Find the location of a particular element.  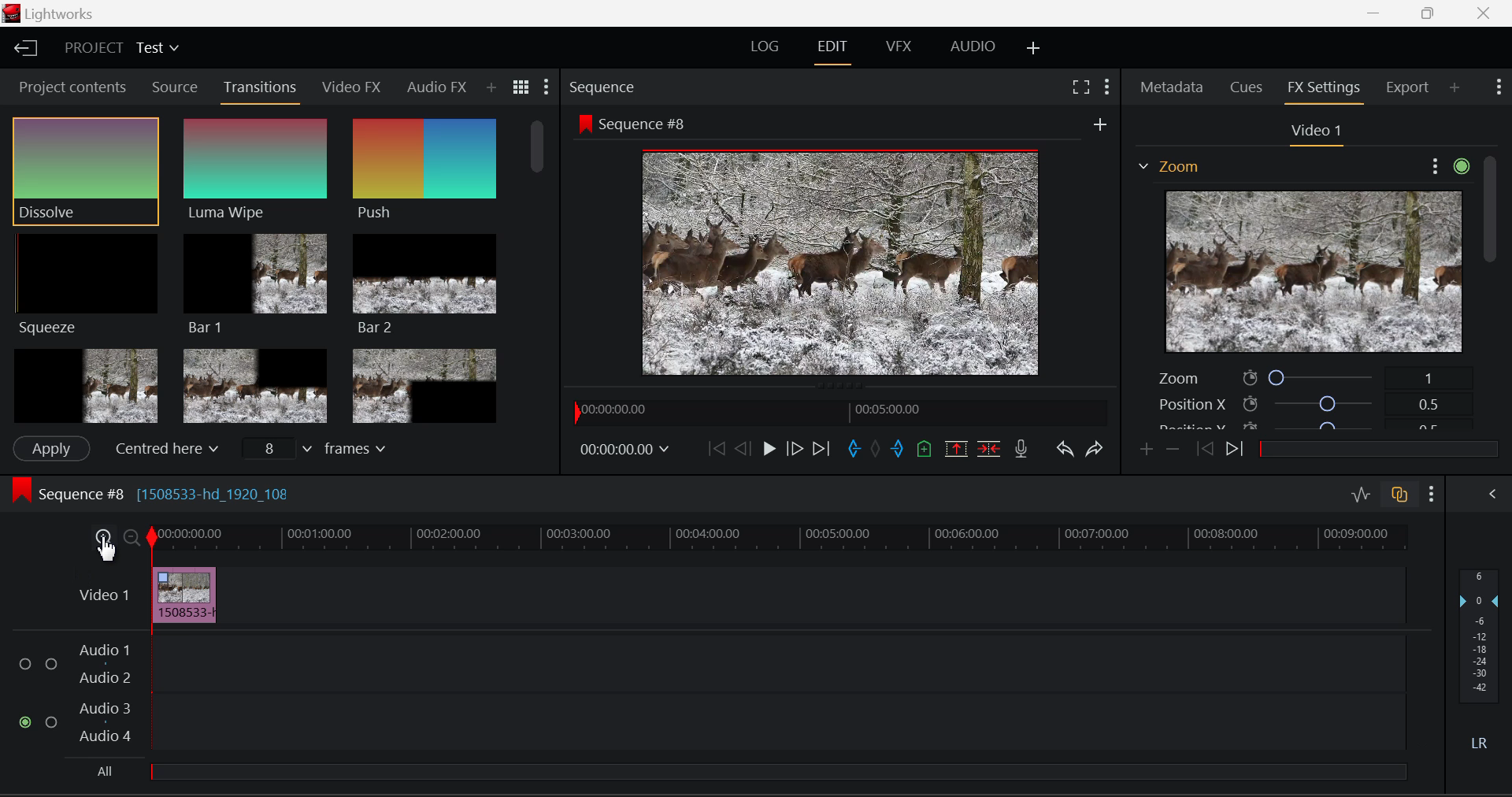

Remove keyframe is located at coordinates (1175, 447).